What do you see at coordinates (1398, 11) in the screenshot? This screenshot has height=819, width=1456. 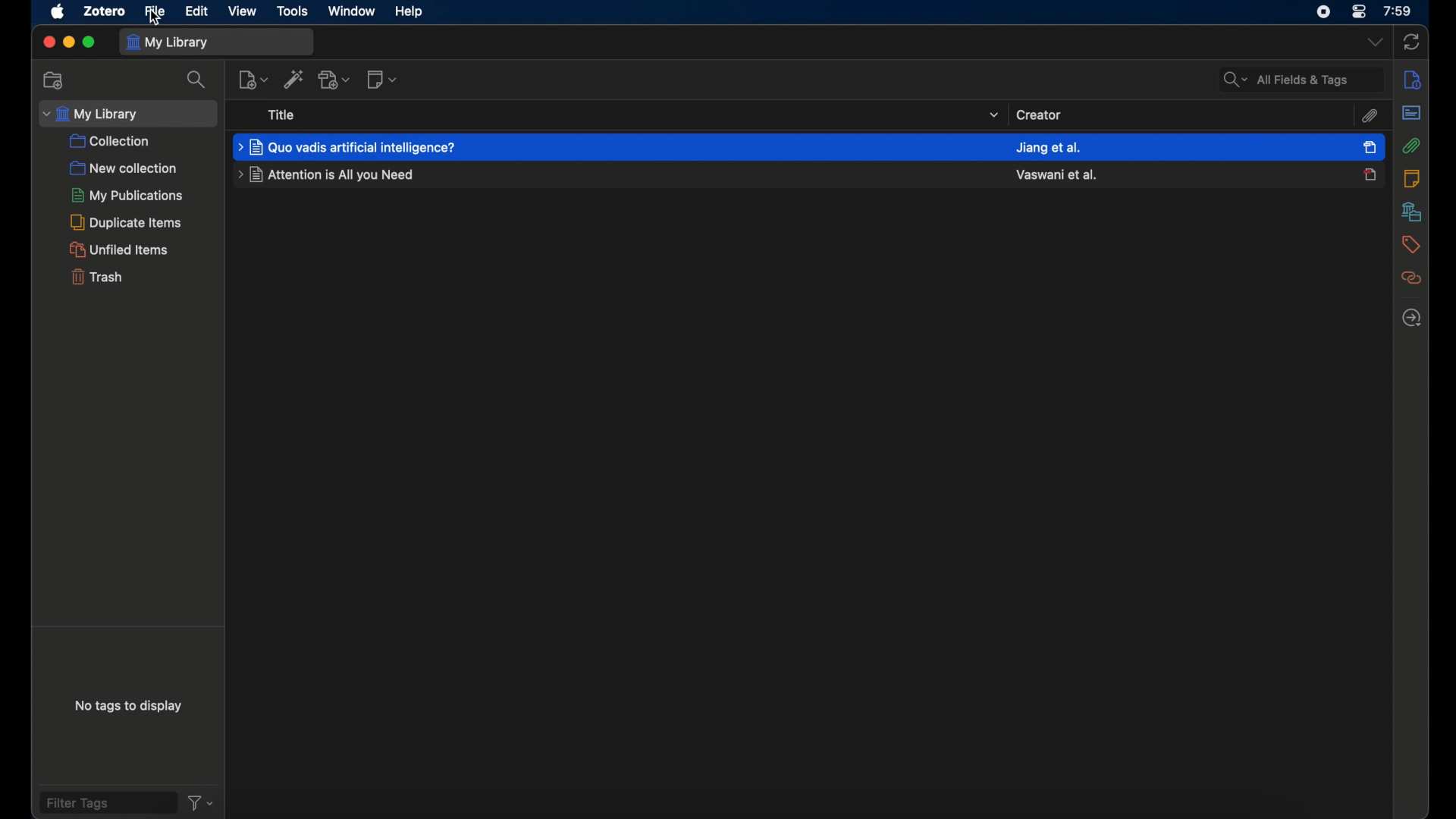 I see `time` at bounding box center [1398, 11].